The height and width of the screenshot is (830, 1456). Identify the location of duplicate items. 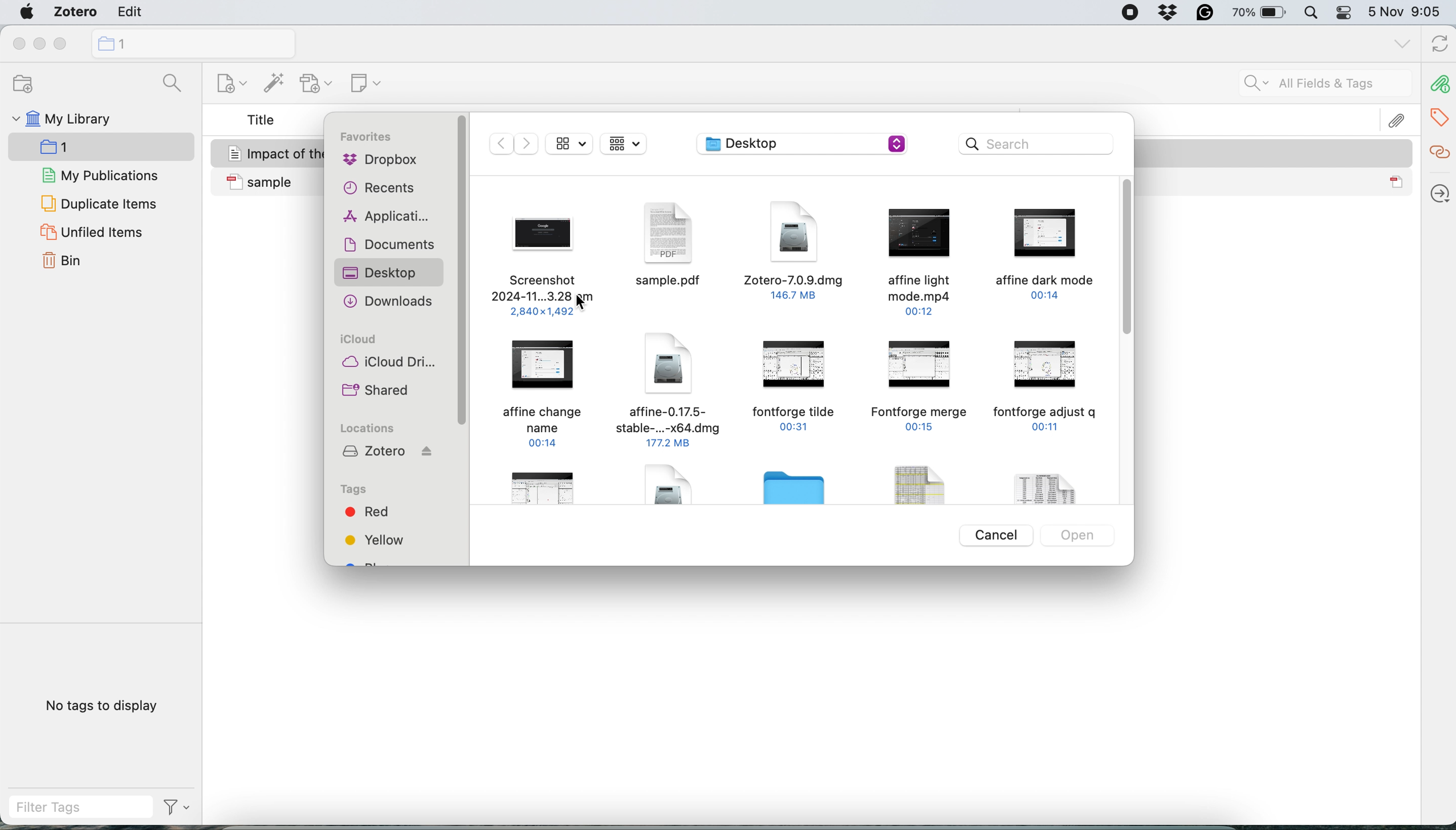
(99, 203).